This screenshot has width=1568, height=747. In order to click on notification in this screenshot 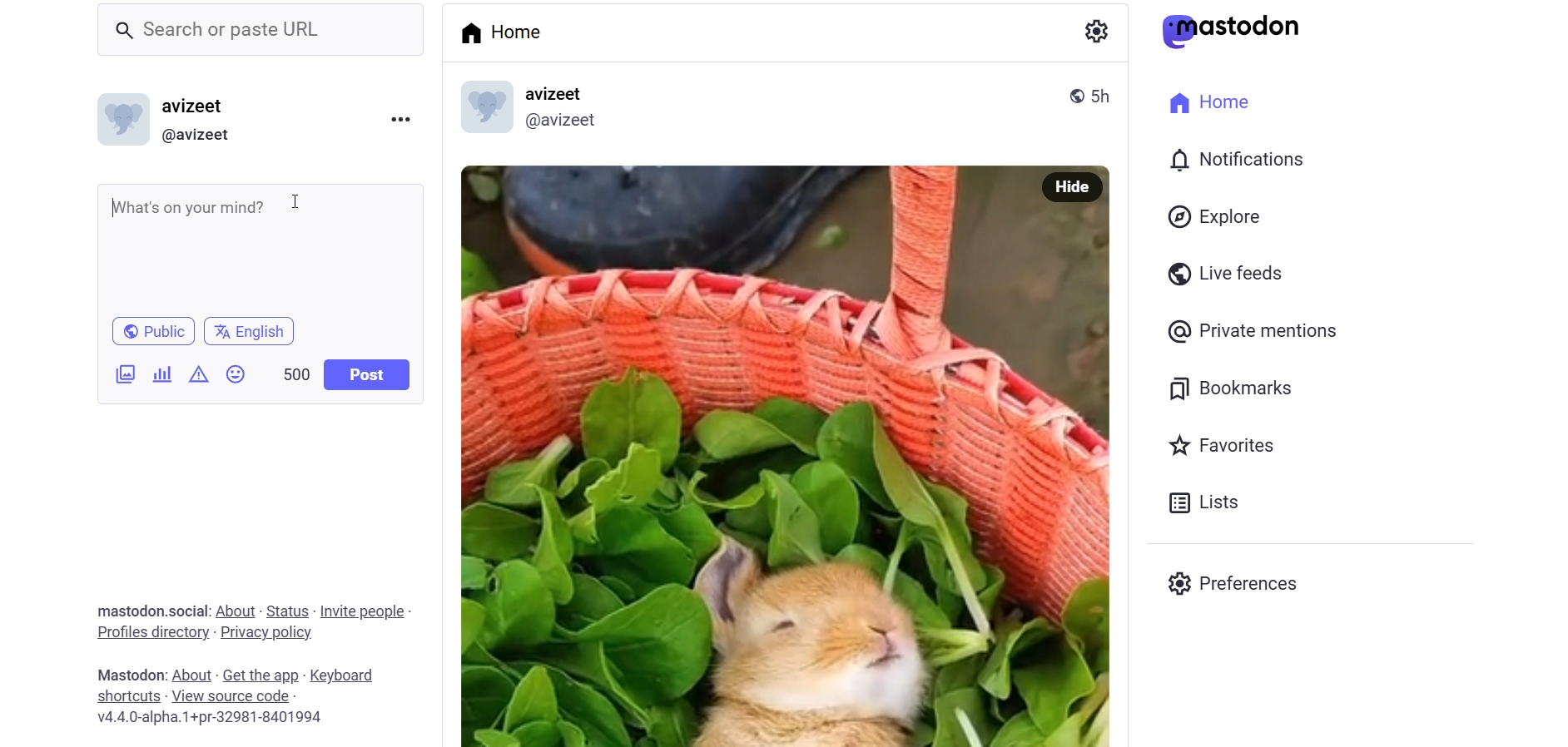, I will do `click(1238, 160)`.